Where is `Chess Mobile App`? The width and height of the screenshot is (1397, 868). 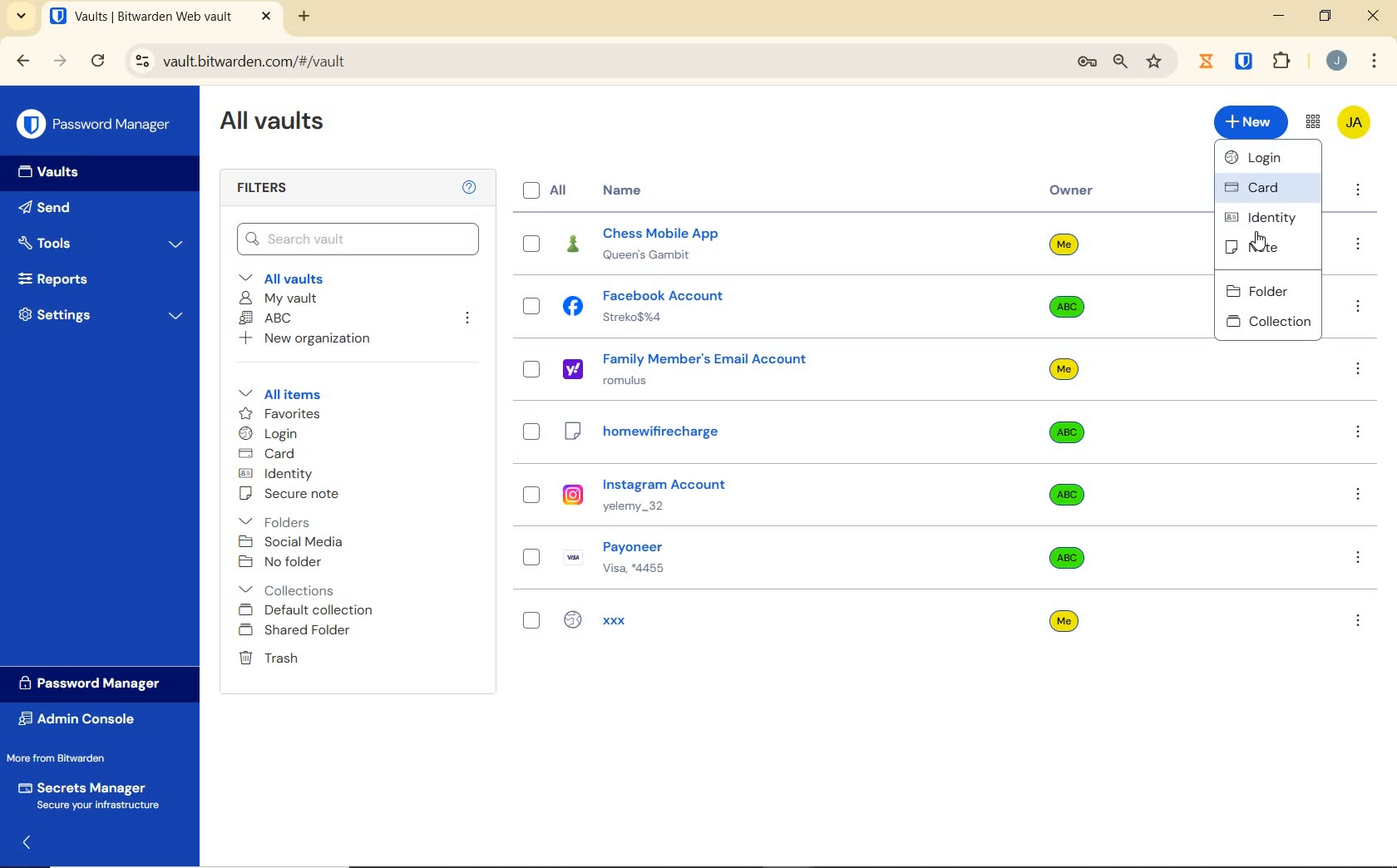
Chess Mobile App is located at coordinates (689, 244).